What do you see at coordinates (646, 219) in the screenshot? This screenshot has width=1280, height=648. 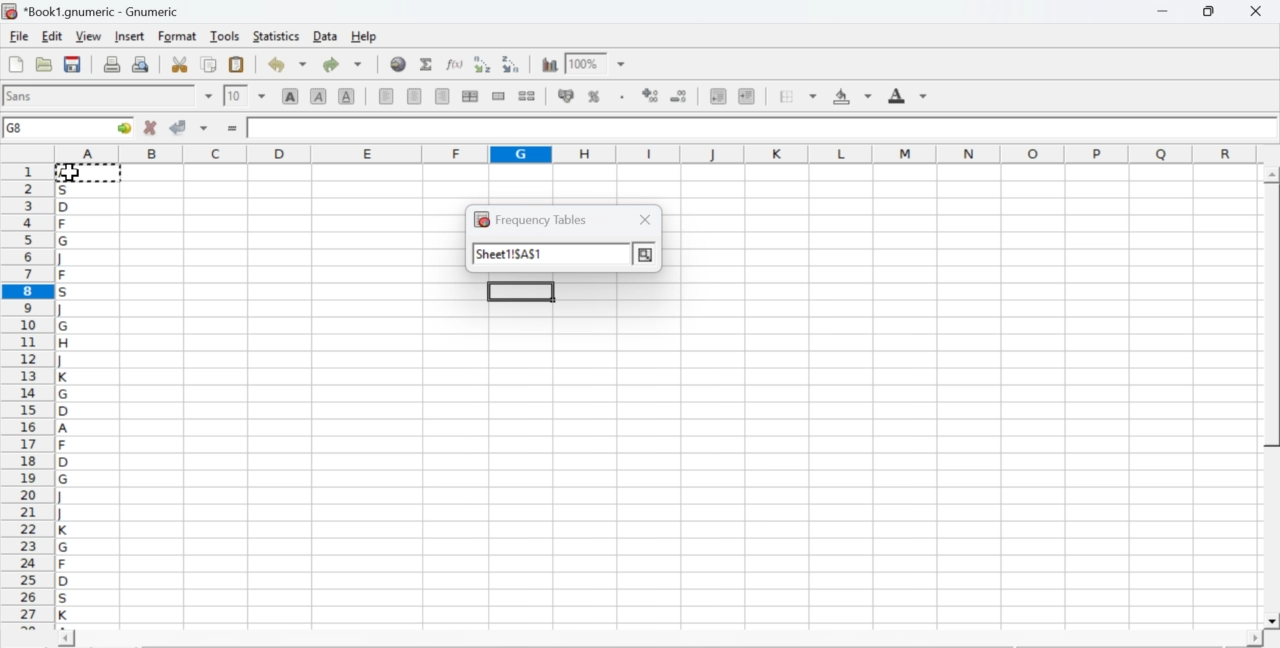 I see `close` at bounding box center [646, 219].